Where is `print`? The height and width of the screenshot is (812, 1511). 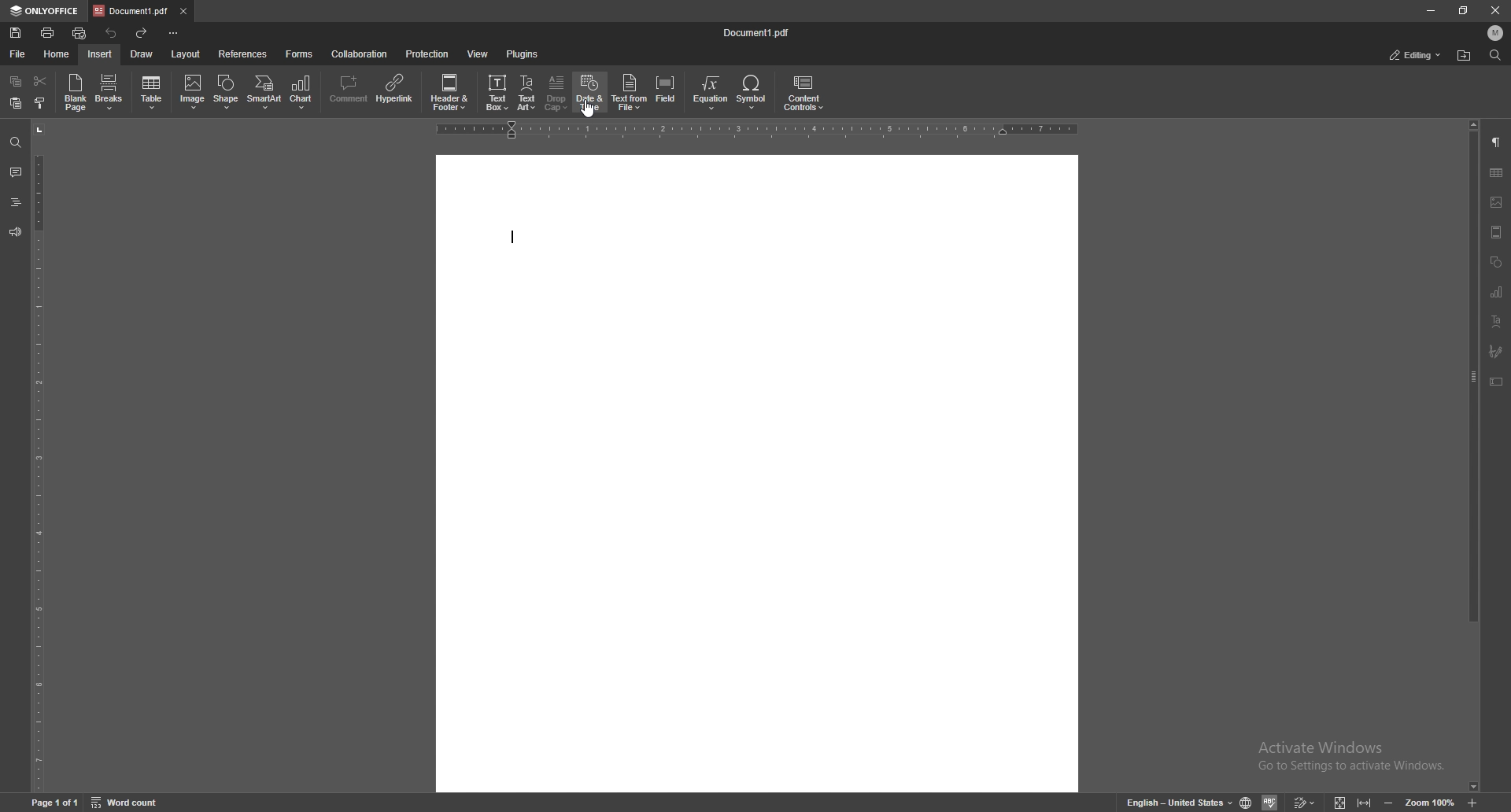 print is located at coordinates (47, 33).